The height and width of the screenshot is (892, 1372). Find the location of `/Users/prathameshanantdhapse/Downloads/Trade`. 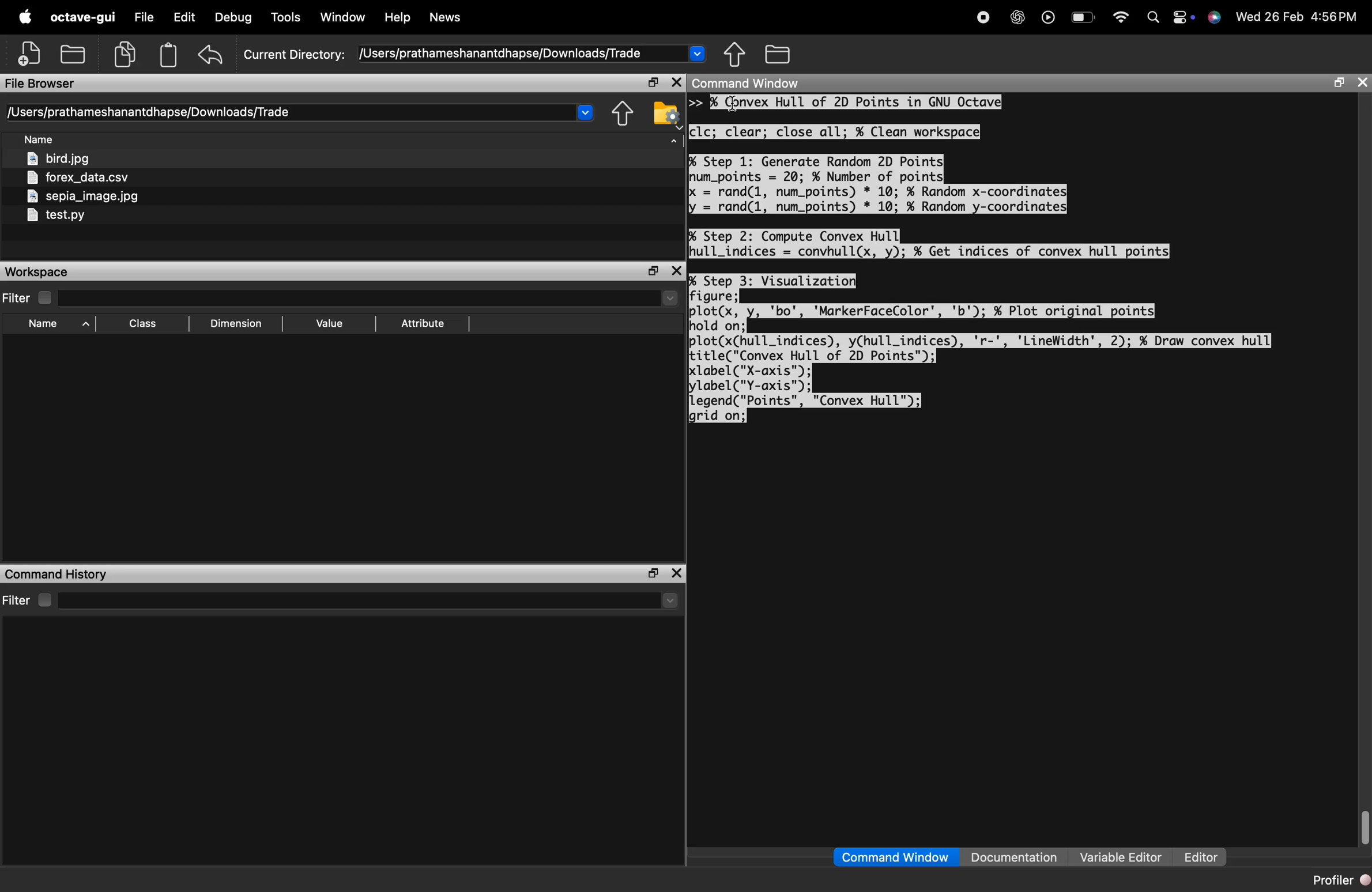

/Users/prathameshanantdhapse/Downloads/Trade is located at coordinates (501, 54).